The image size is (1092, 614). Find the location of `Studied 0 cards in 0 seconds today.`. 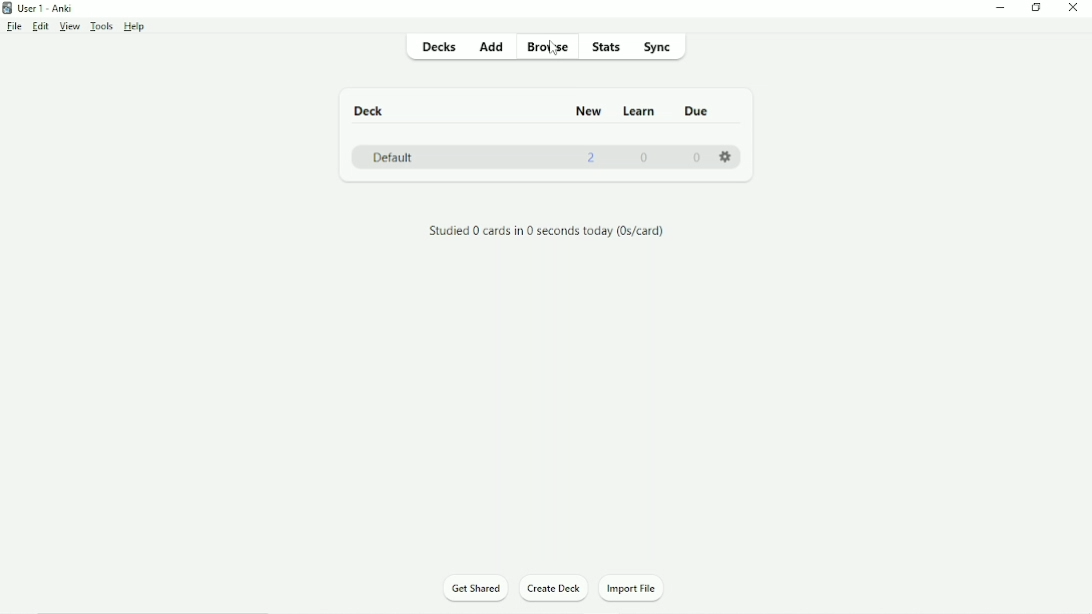

Studied 0 cards in 0 seconds today. is located at coordinates (544, 232).